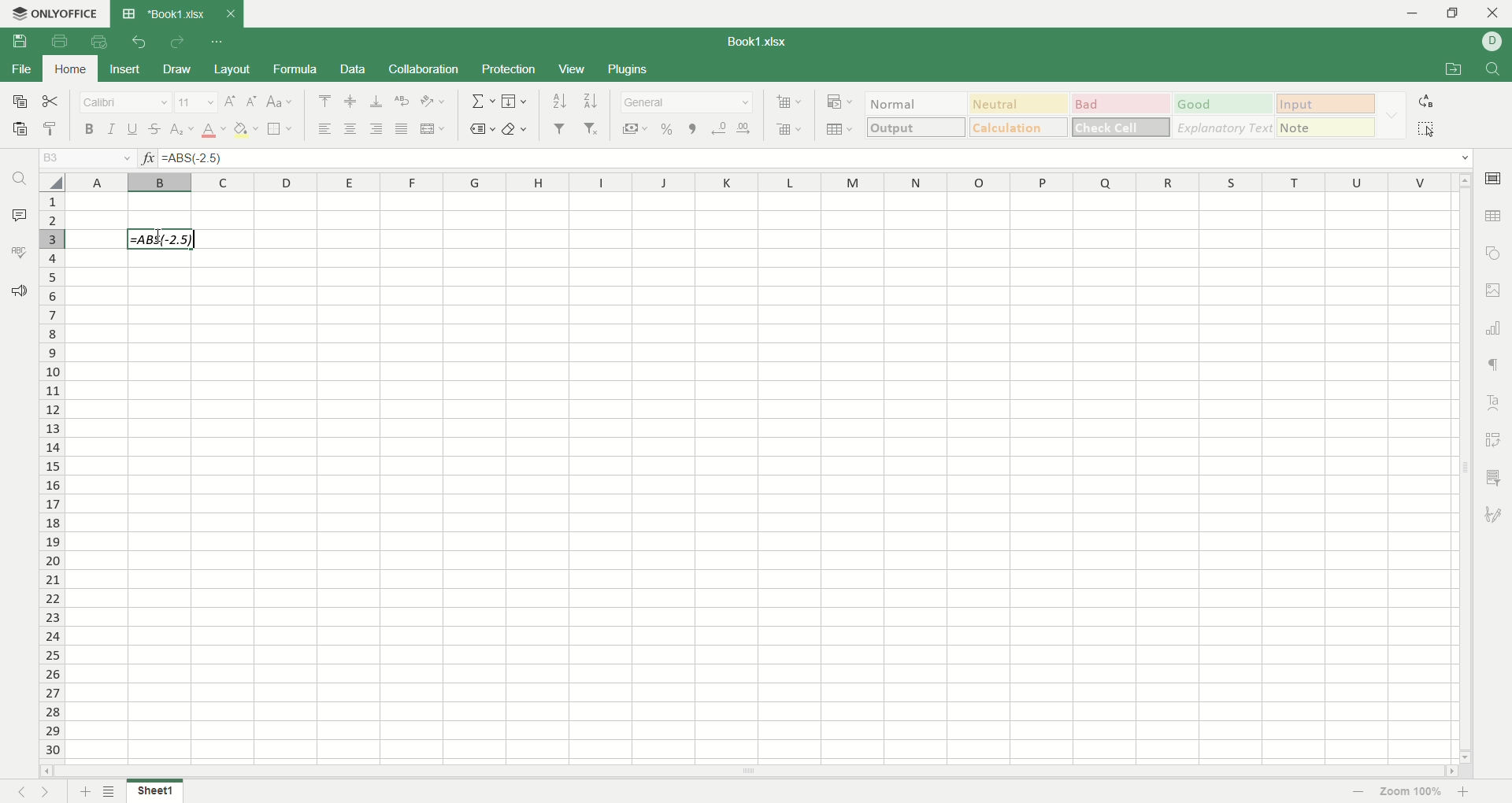  What do you see at coordinates (234, 70) in the screenshot?
I see `layout` at bounding box center [234, 70].